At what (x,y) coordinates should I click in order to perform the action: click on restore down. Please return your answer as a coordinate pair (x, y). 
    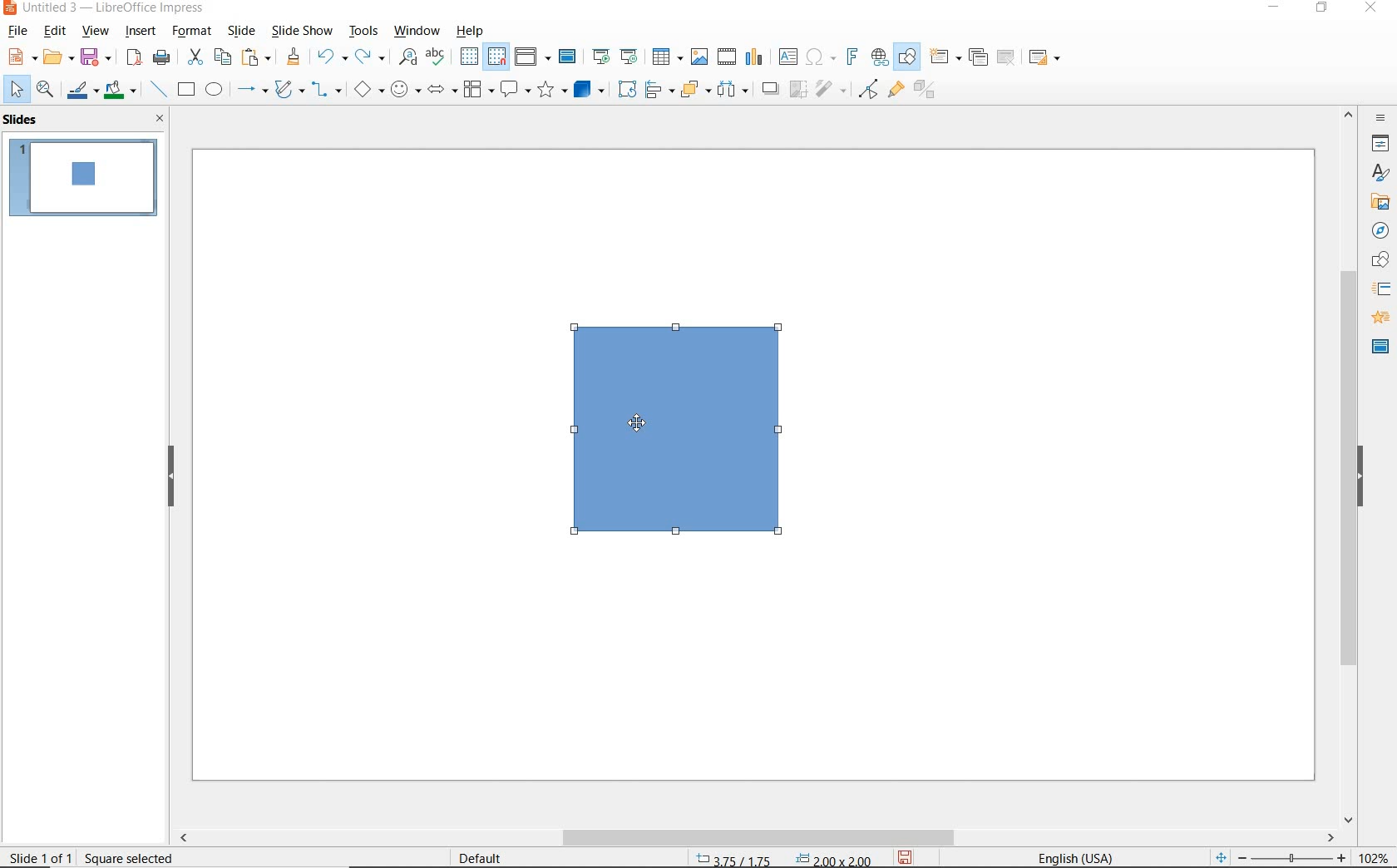
    Looking at the image, I should click on (1324, 10).